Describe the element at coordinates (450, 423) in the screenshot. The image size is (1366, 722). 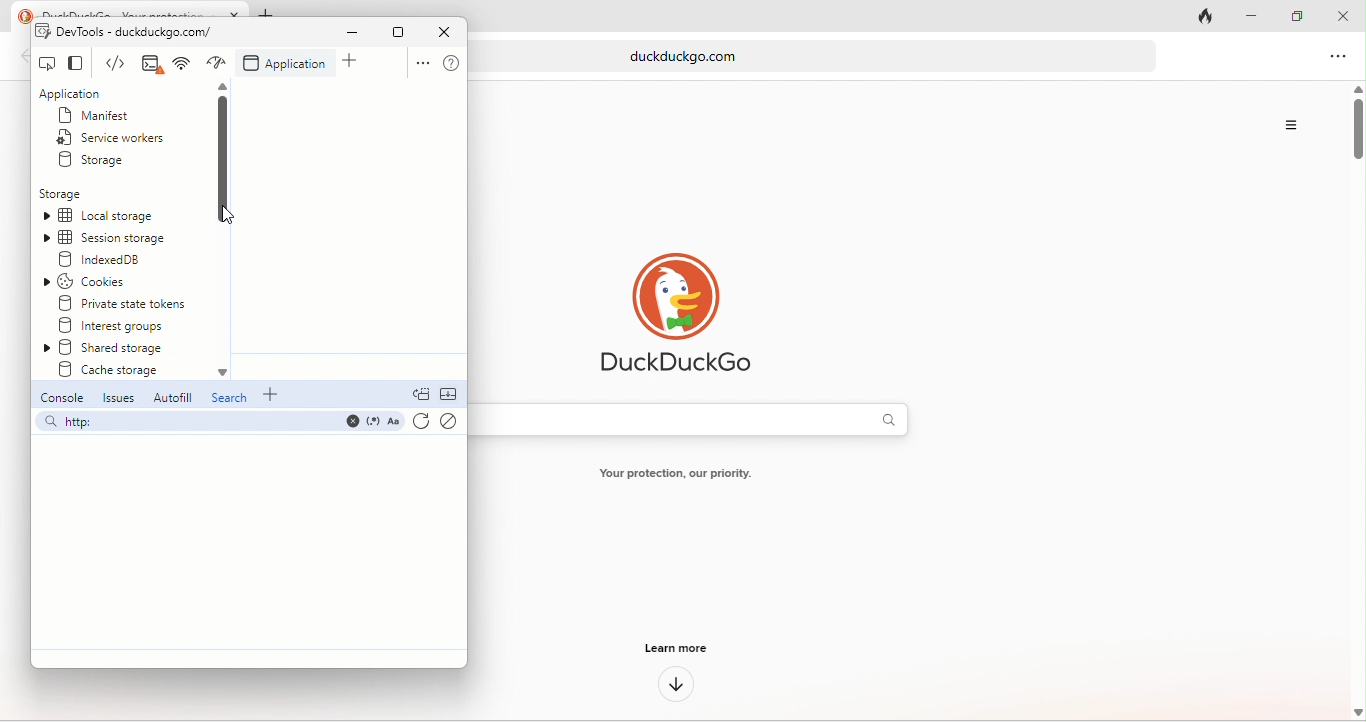
I see `clear` at that location.